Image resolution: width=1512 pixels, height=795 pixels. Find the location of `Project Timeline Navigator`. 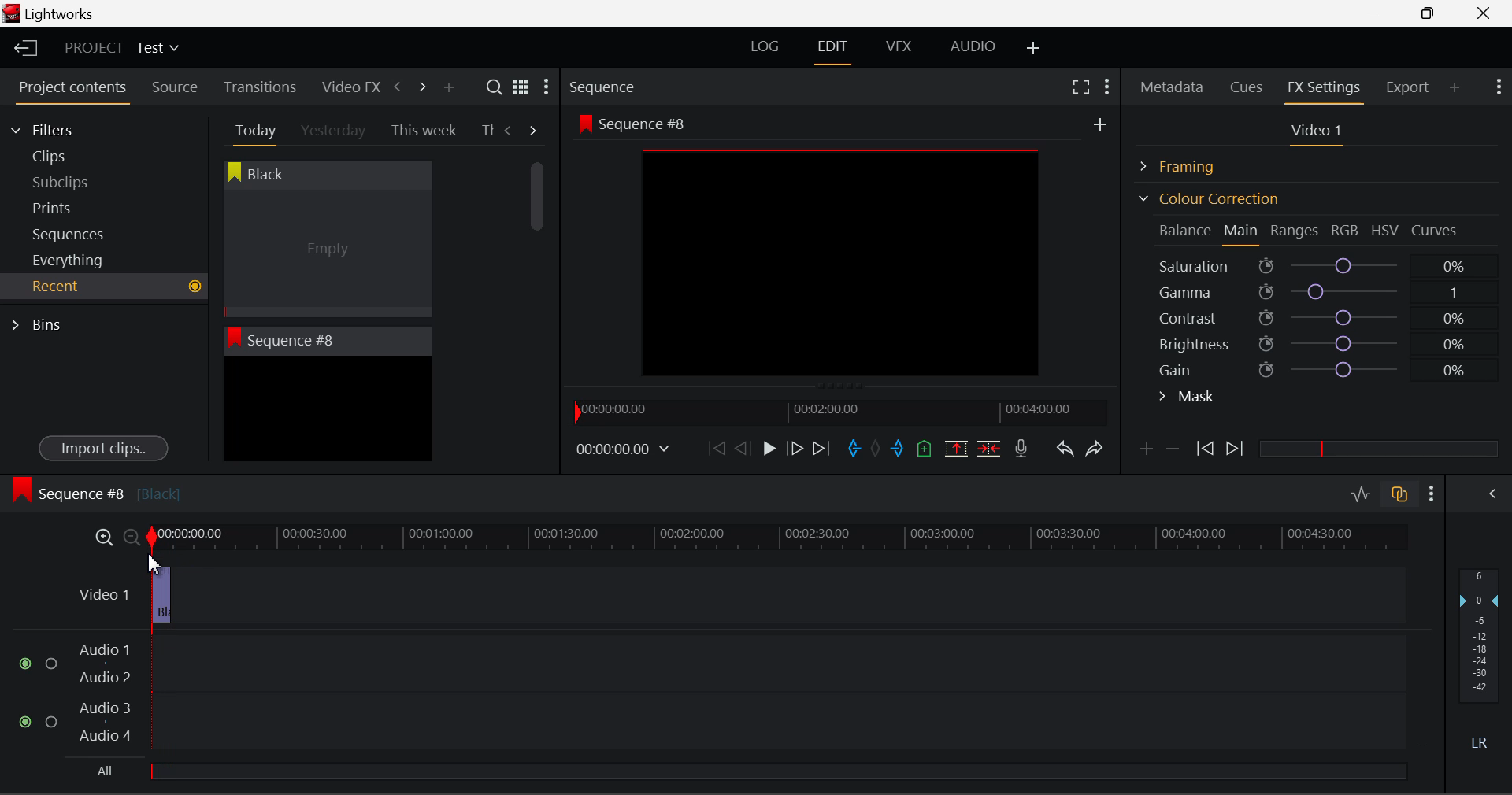

Project Timeline Navigator is located at coordinates (838, 412).